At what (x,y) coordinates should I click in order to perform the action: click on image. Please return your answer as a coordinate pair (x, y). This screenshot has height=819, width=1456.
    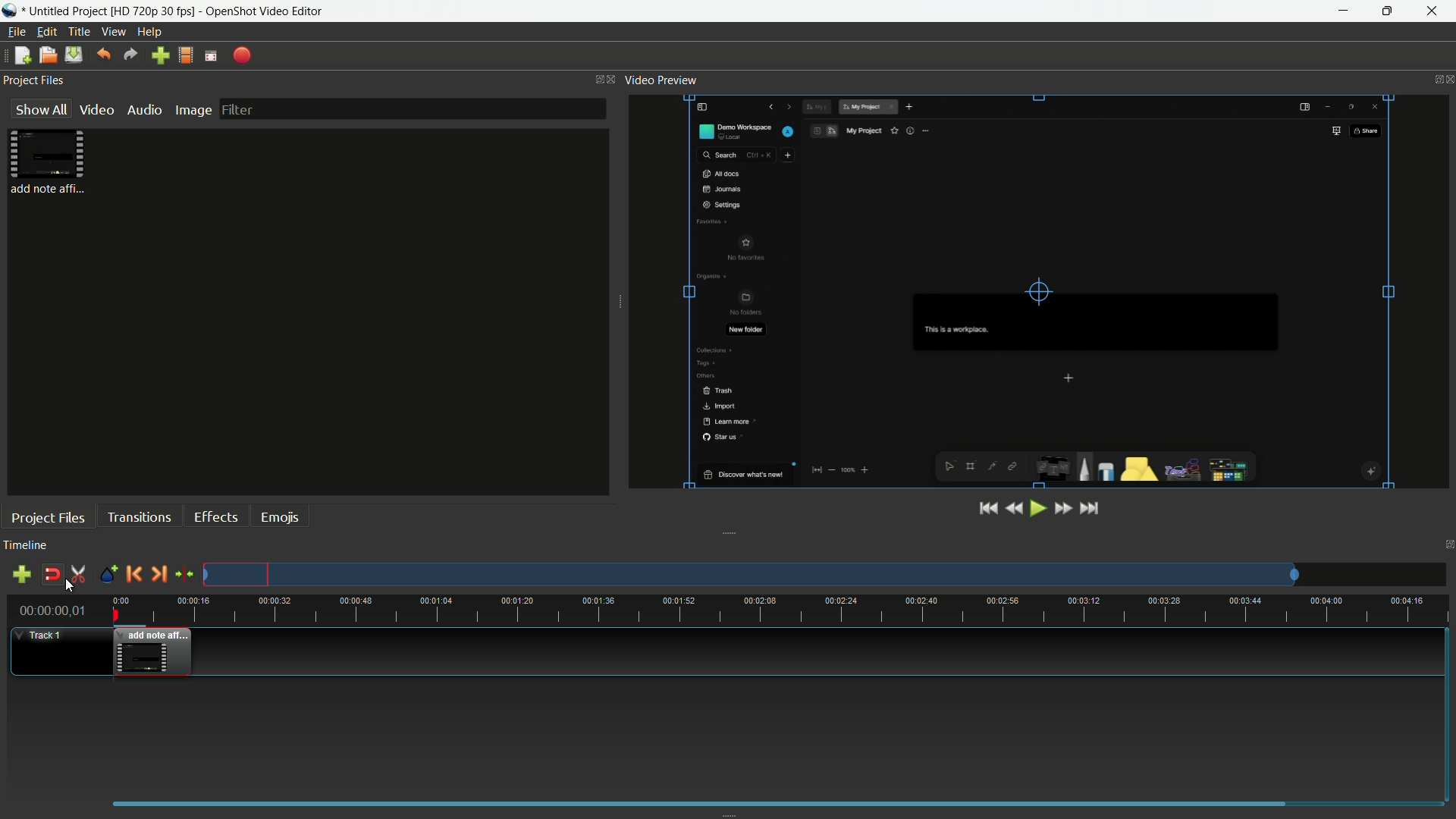
    Looking at the image, I should click on (193, 111).